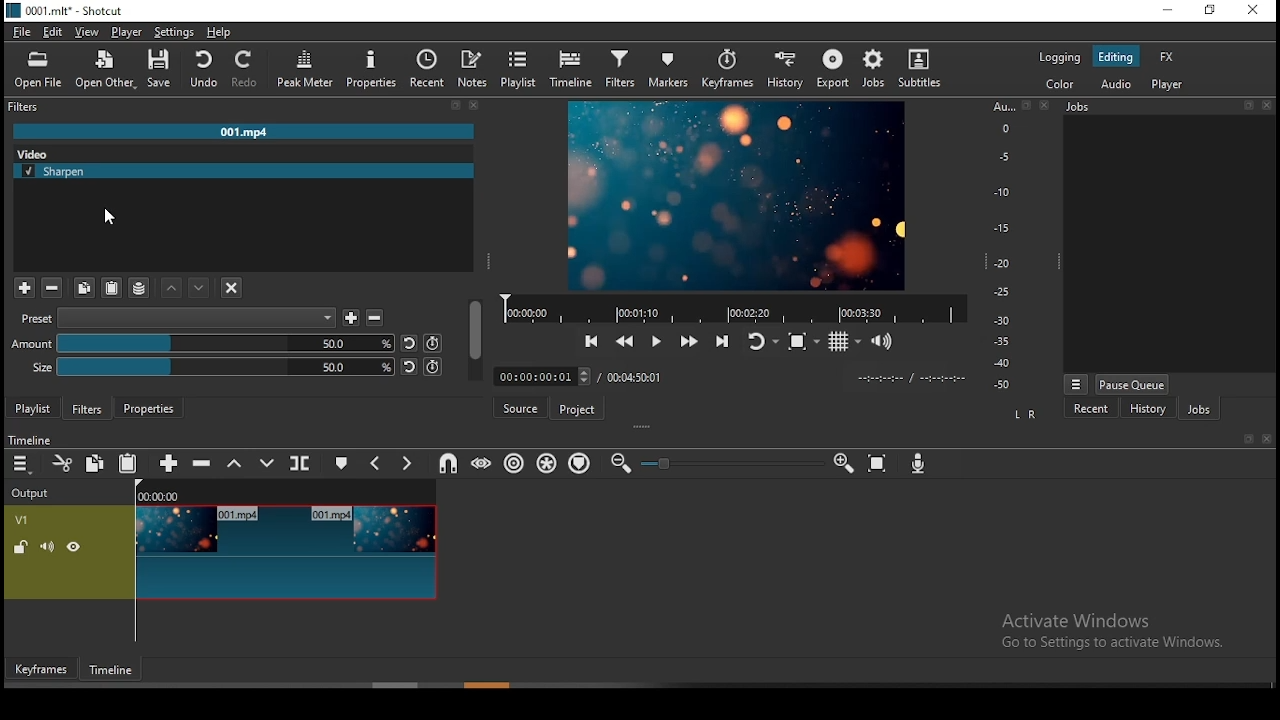 The image size is (1280, 720). What do you see at coordinates (832, 69) in the screenshot?
I see `export` at bounding box center [832, 69].